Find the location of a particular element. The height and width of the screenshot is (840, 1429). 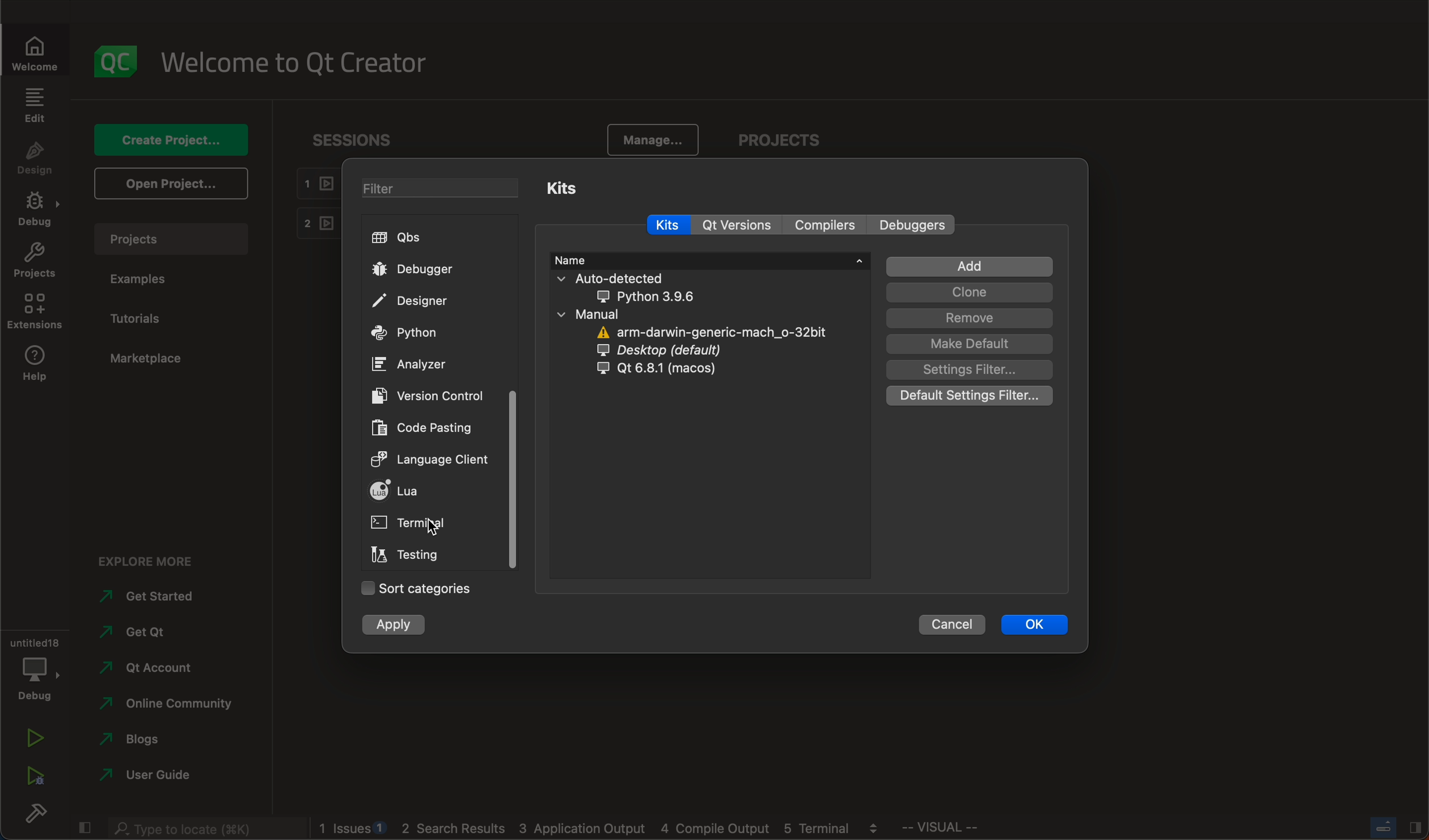

desktop is located at coordinates (666, 352).